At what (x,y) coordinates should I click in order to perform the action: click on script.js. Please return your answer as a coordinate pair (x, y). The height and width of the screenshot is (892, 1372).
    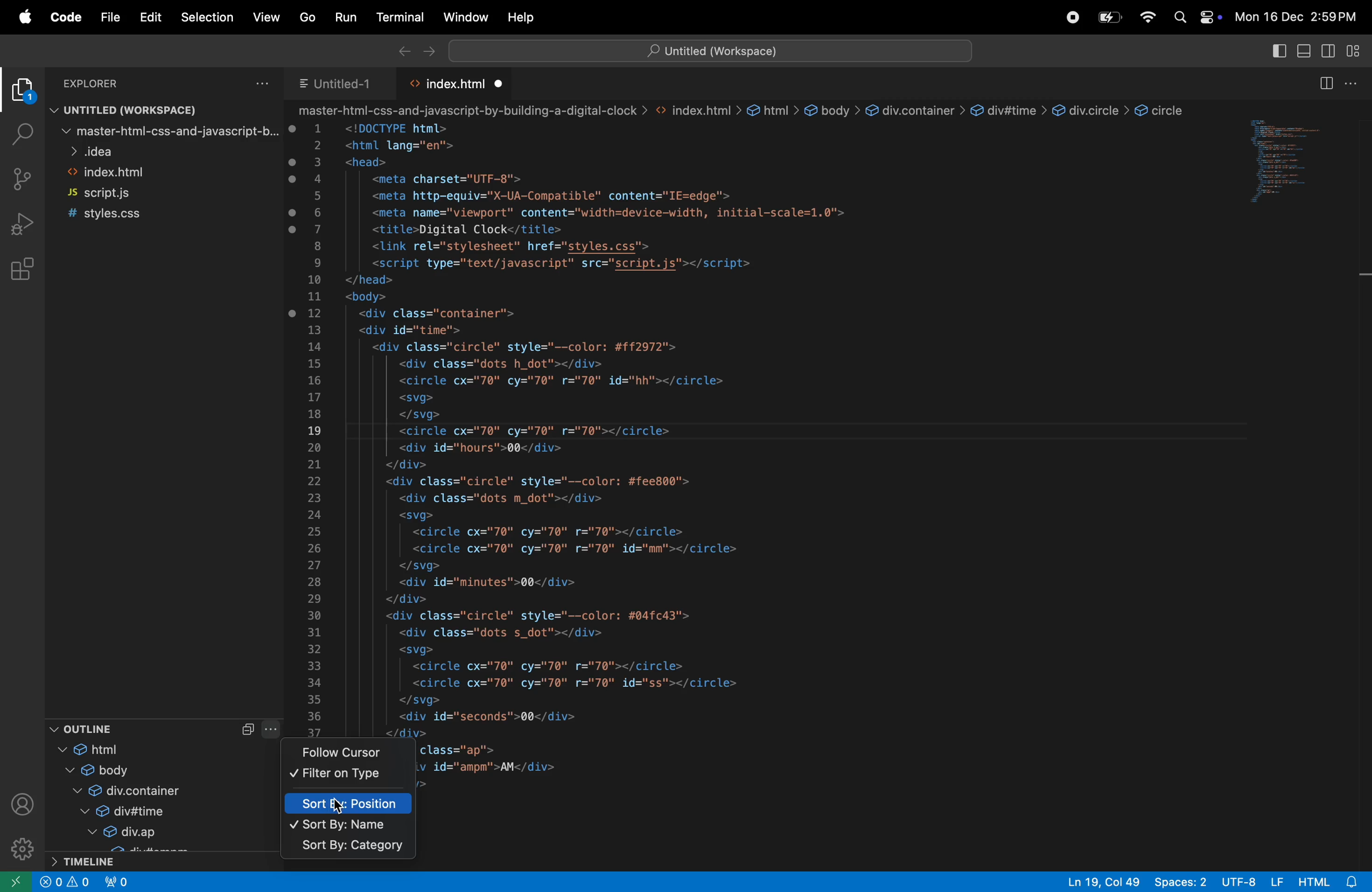
    Looking at the image, I should click on (129, 193).